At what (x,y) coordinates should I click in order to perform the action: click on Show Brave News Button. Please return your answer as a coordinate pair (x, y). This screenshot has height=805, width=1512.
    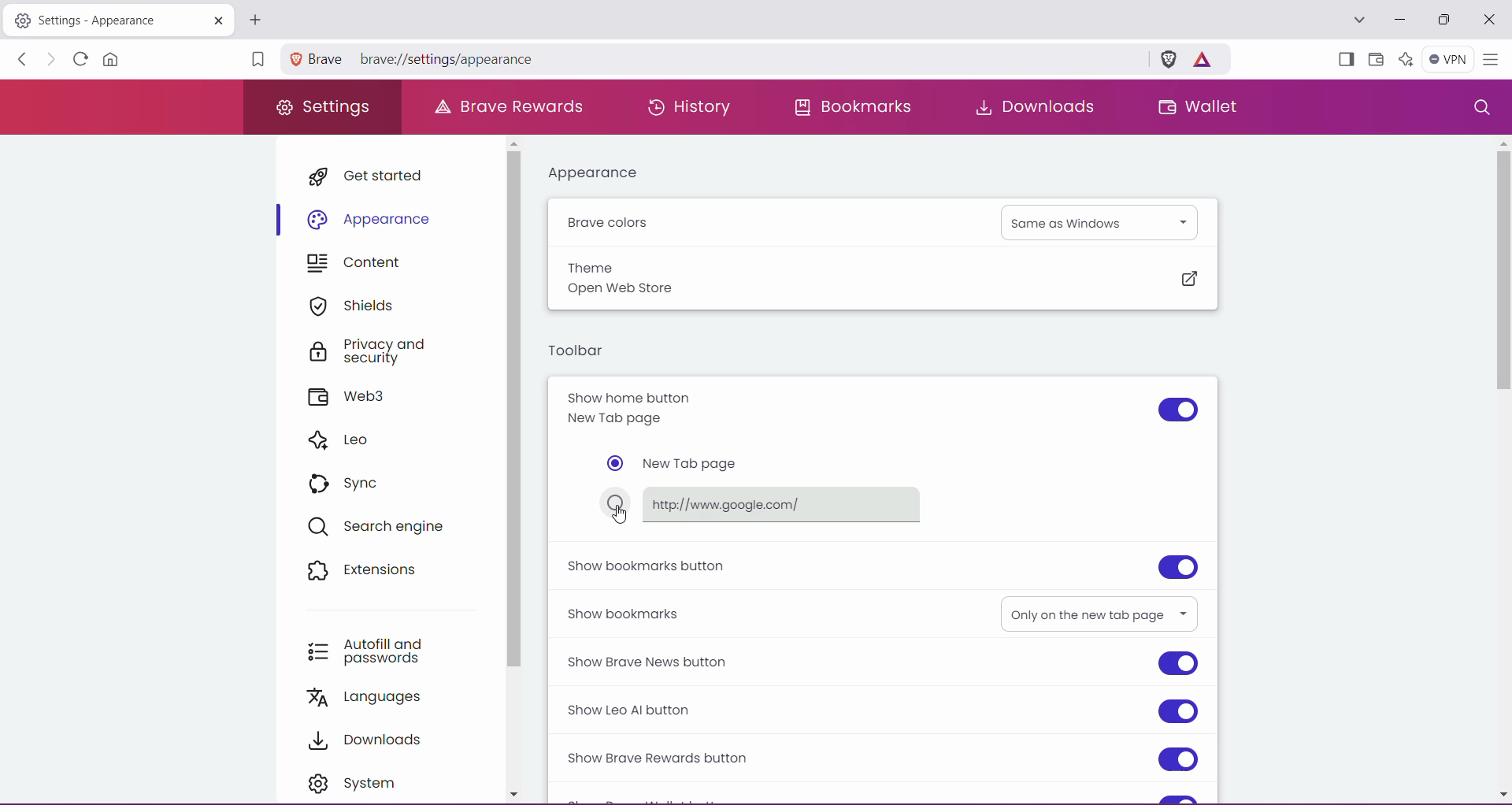
    Looking at the image, I should click on (657, 662).